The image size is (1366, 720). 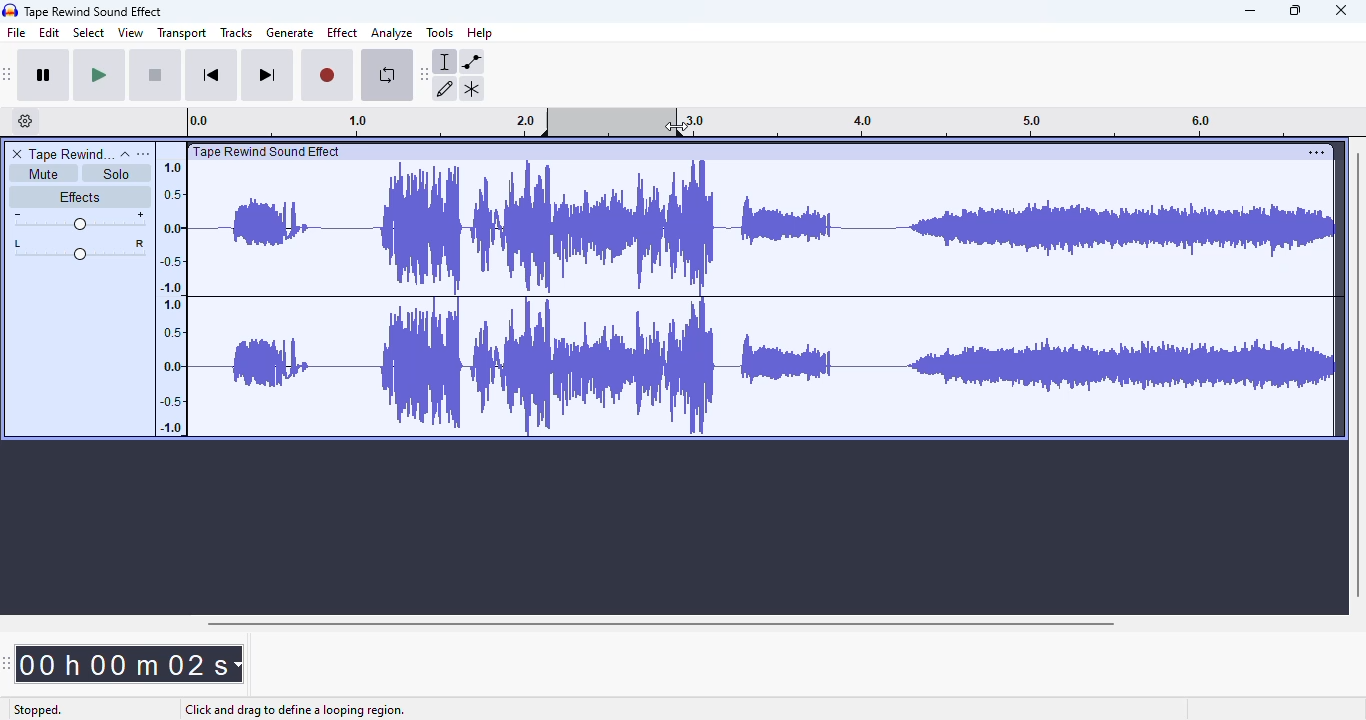 I want to click on audacity tools toolbar, so click(x=425, y=73).